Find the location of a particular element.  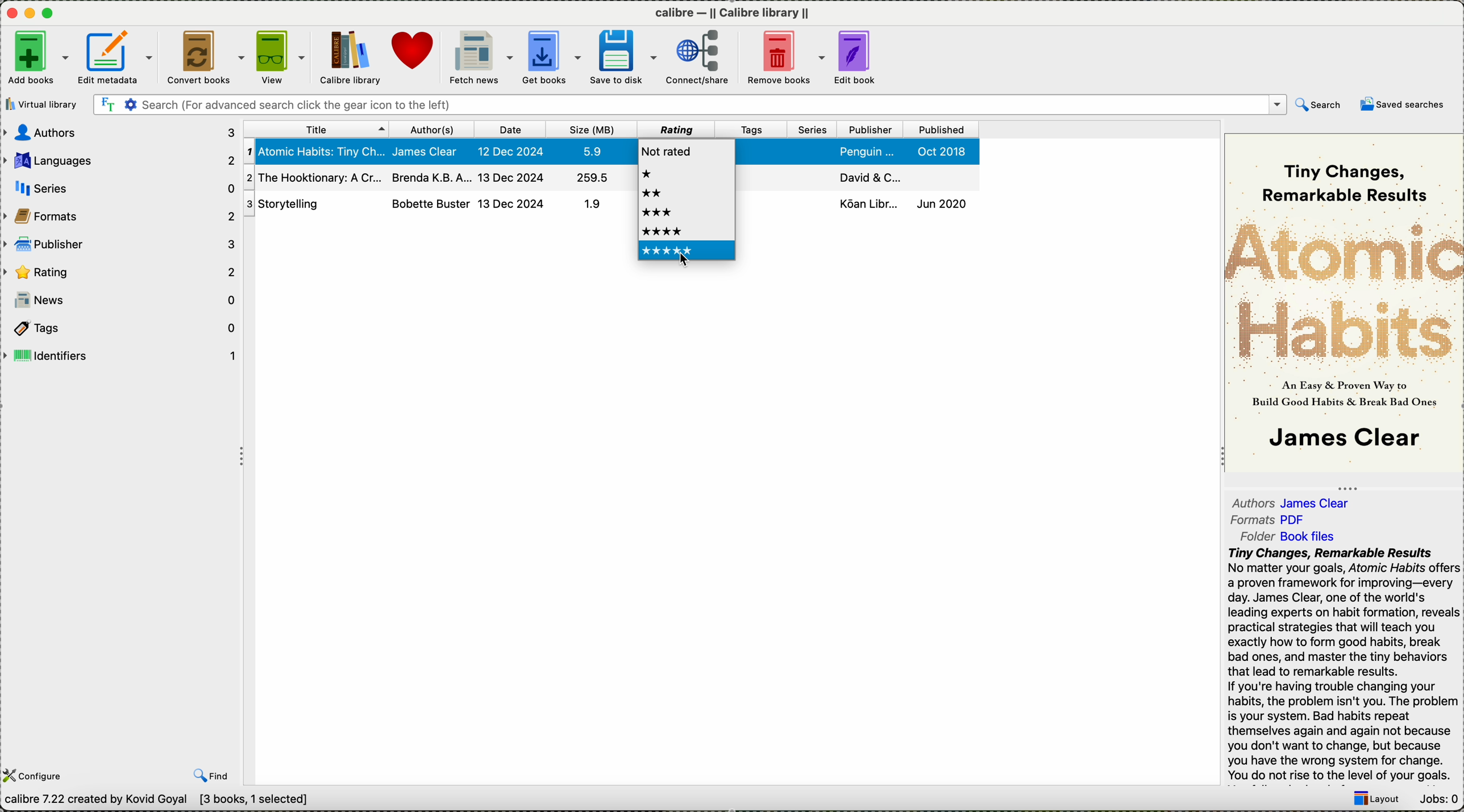

saved searches is located at coordinates (1406, 105).